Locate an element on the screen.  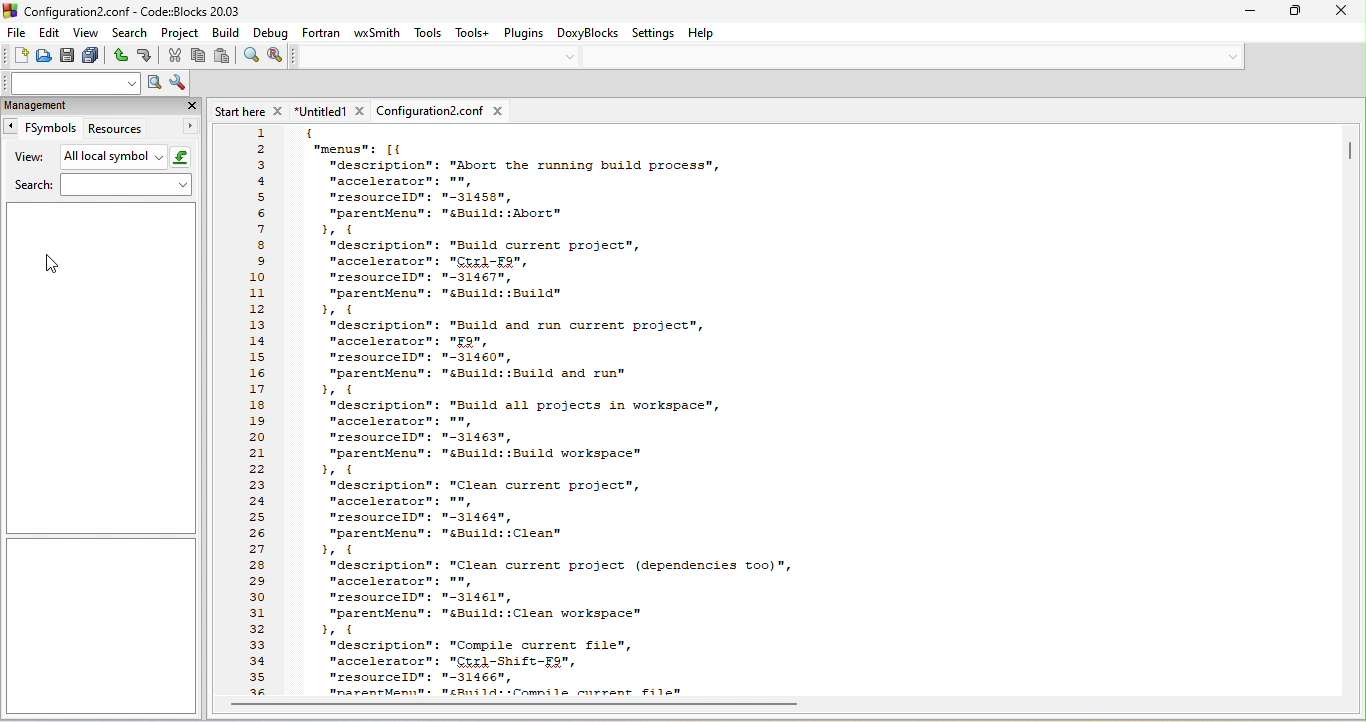
untitled1 is located at coordinates (332, 111).